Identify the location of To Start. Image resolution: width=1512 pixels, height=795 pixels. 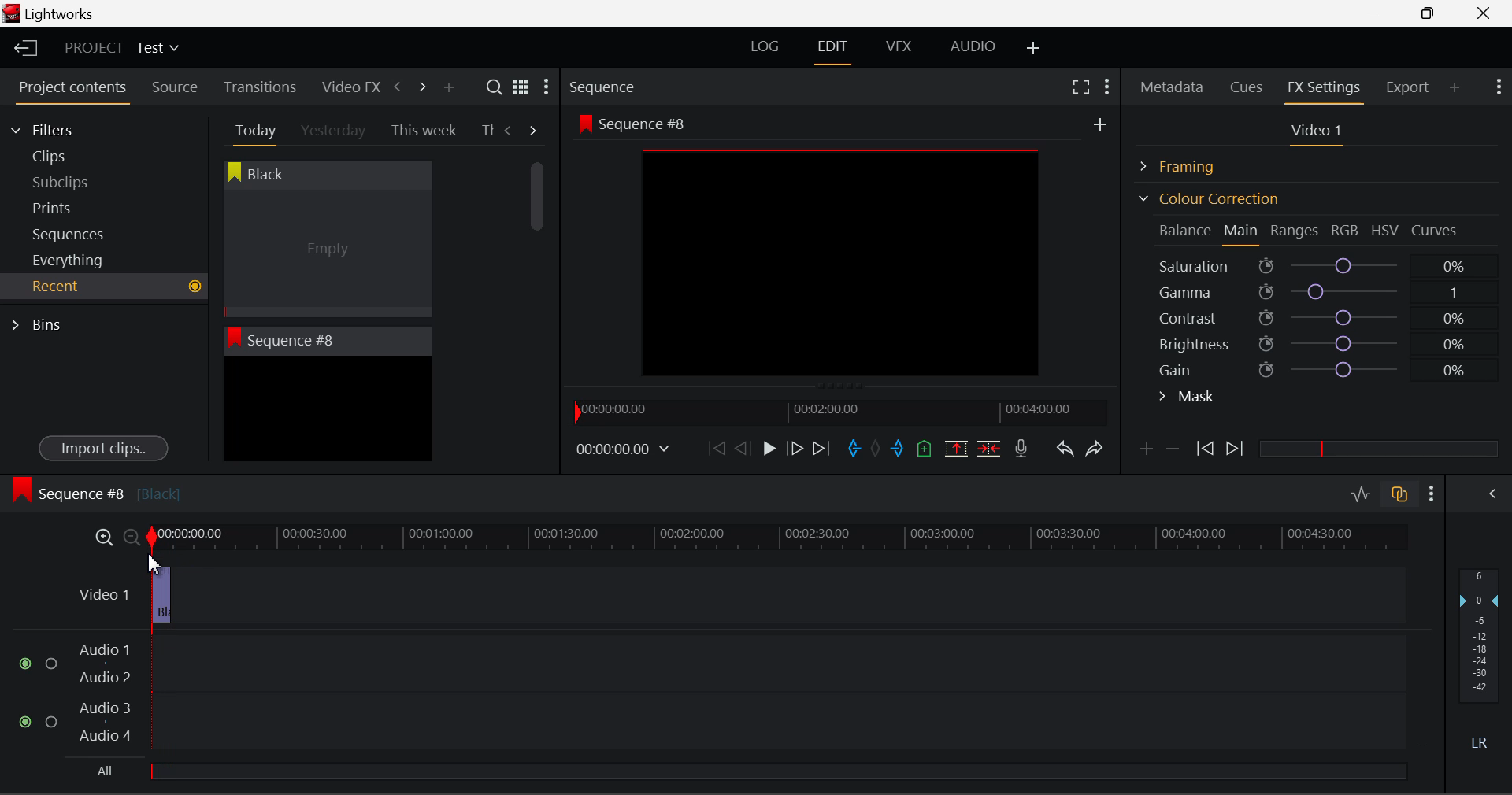
(715, 448).